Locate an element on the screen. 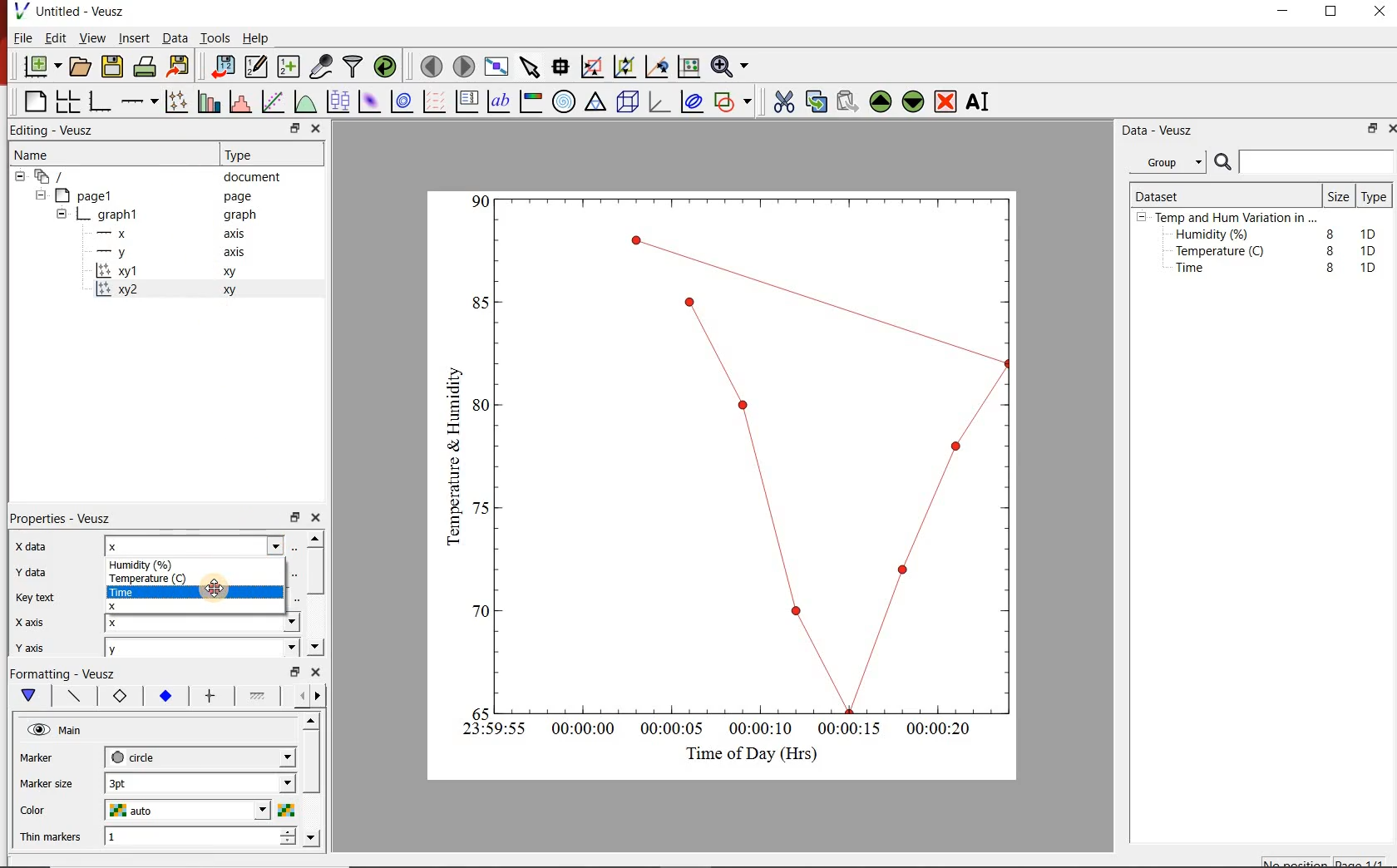 This screenshot has width=1397, height=868. x data dropdown is located at coordinates (250, 545).